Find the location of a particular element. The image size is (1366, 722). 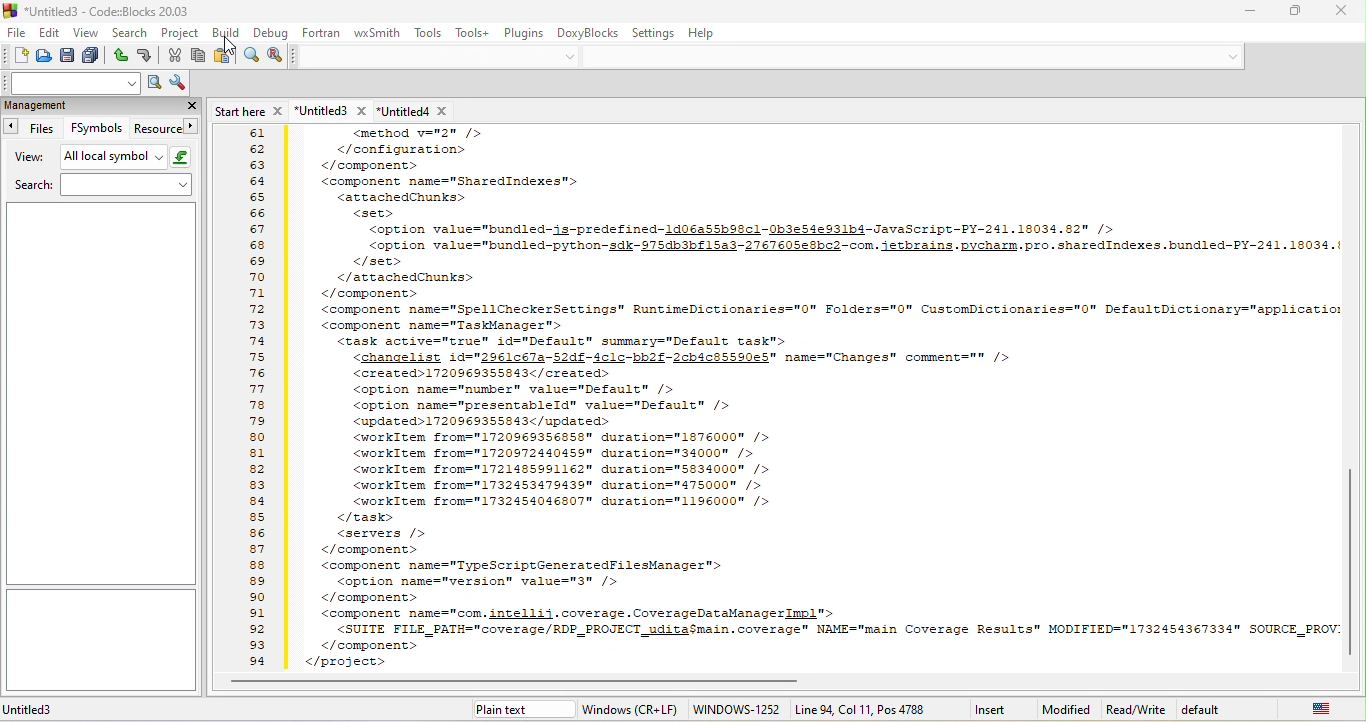

cut is located at coordinates (176, 57).